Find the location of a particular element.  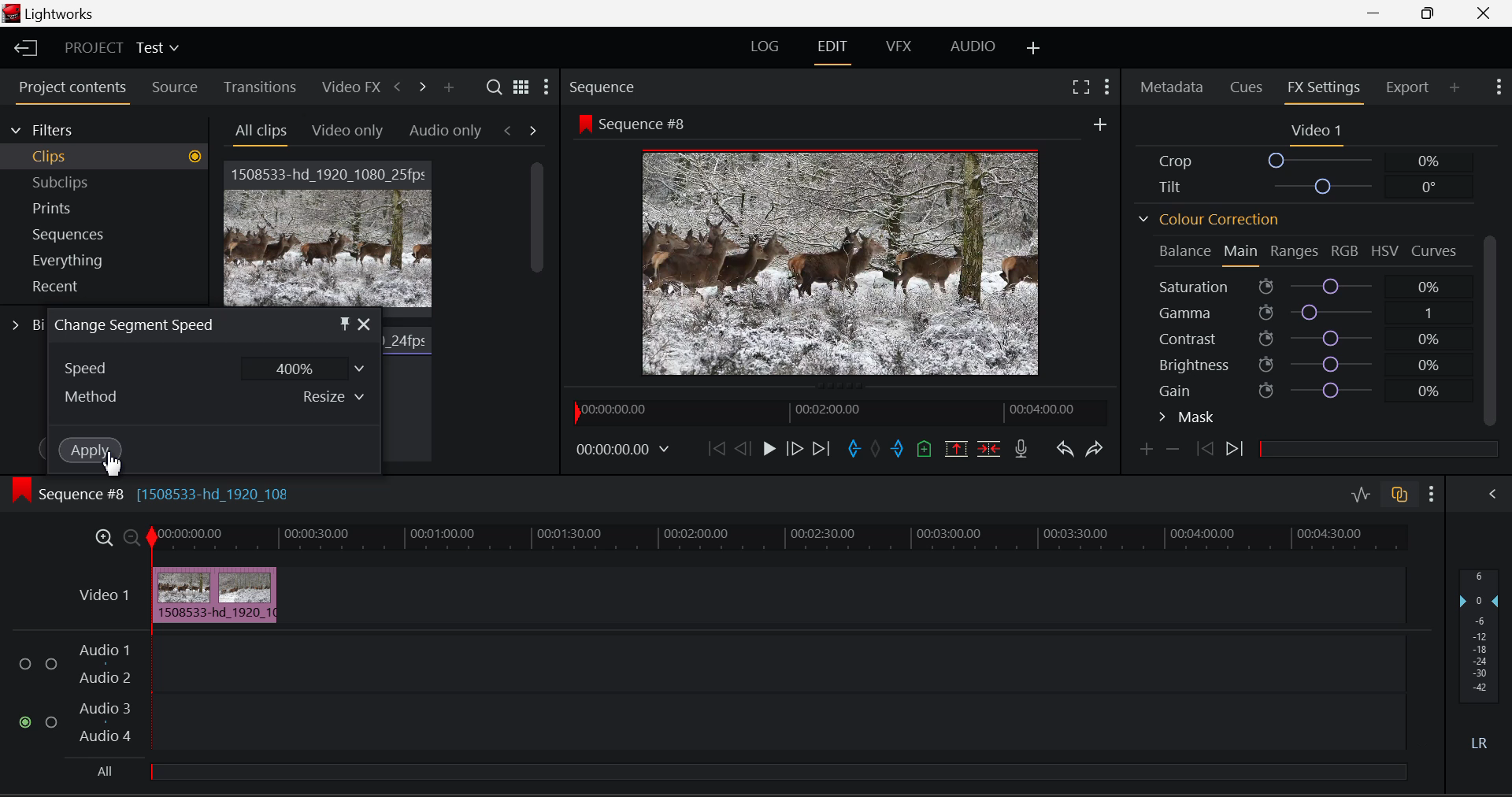

Balance is located at coordinates (1181, 252).